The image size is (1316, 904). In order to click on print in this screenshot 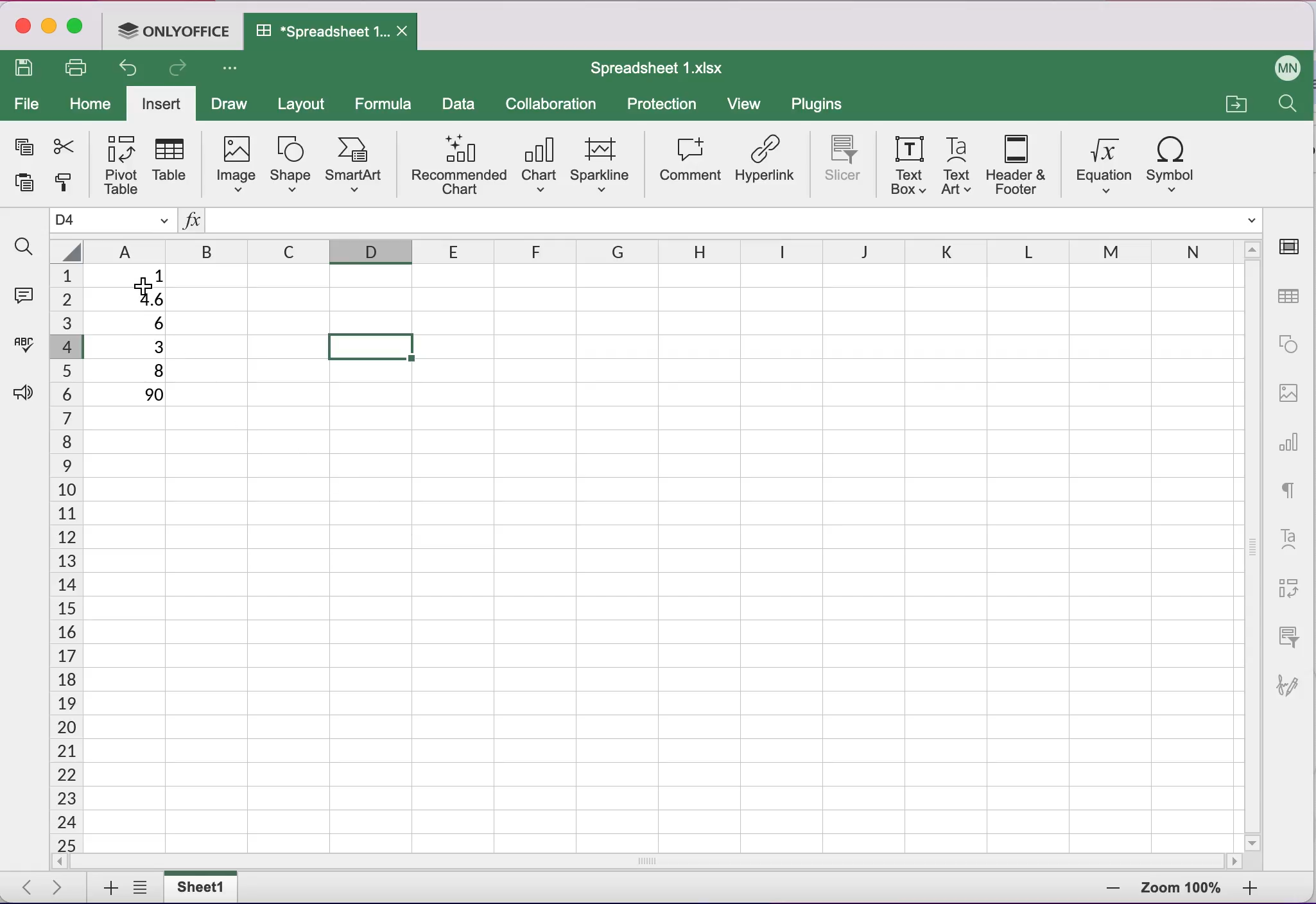, I will do `click(77, 69)`.